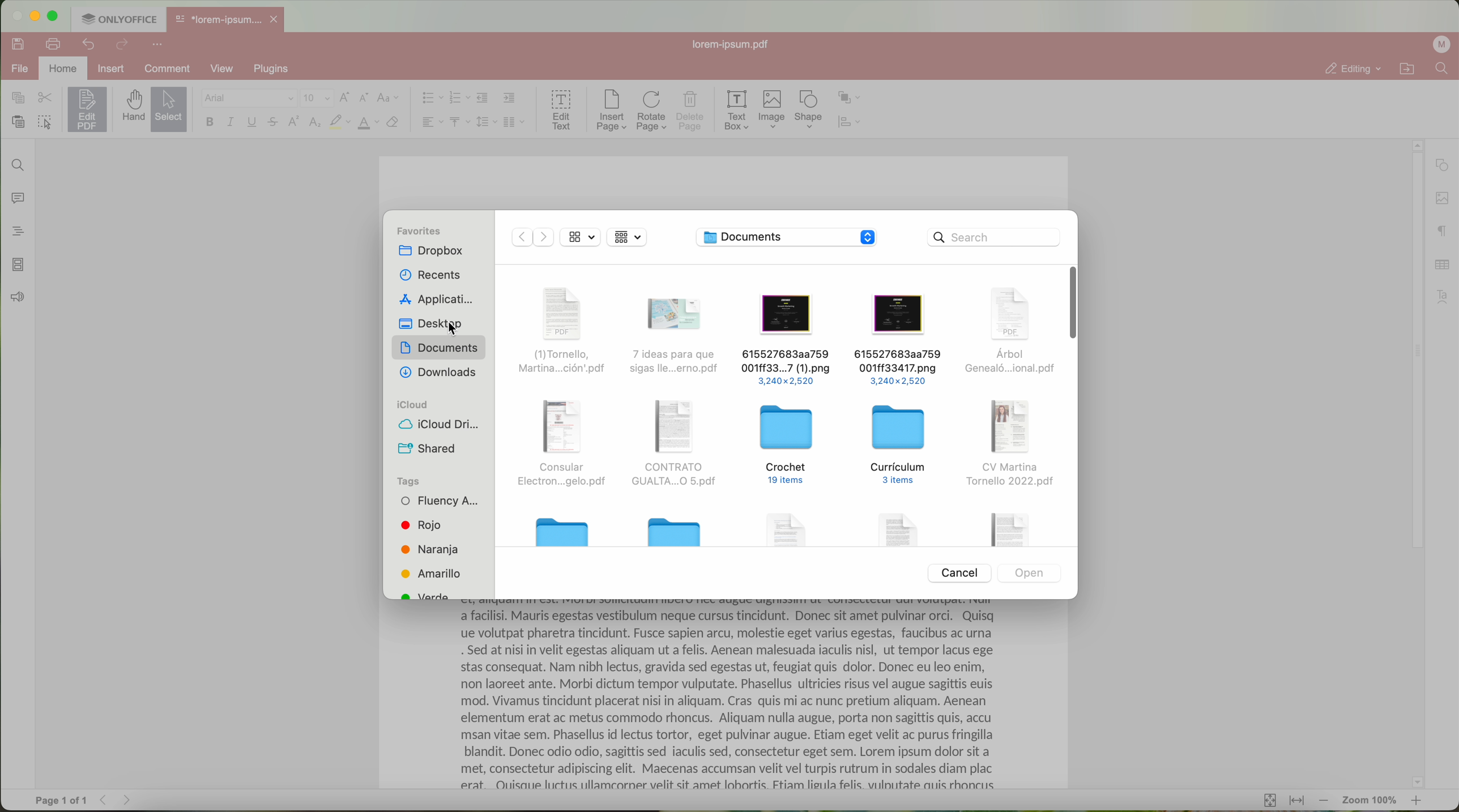  Describe the element at coordinates (439, 423) in the screenshot. I see `icloud drive` at that location.